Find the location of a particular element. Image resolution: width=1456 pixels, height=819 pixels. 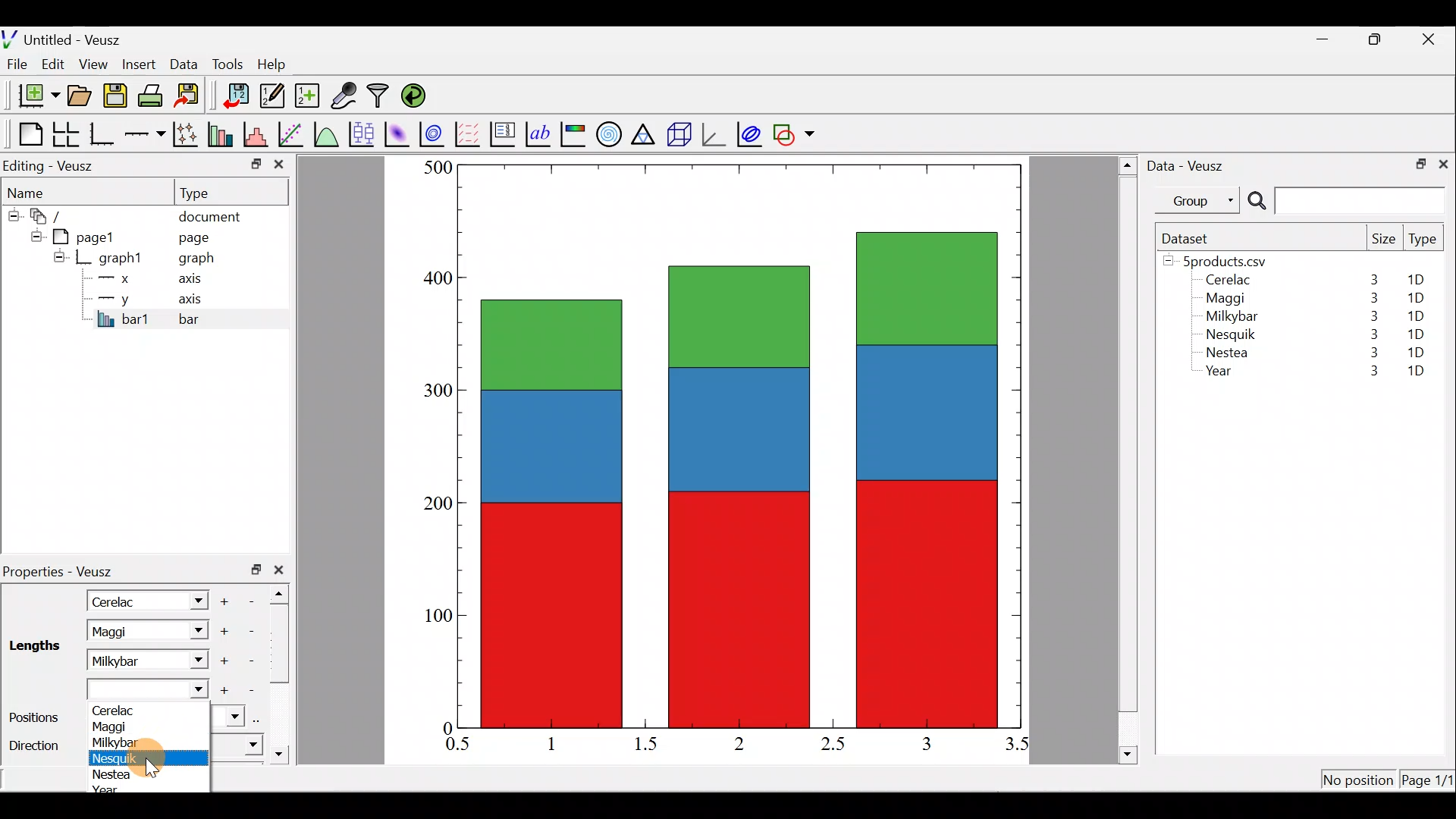

Import data into veusz is located at coordinates (237, 96).